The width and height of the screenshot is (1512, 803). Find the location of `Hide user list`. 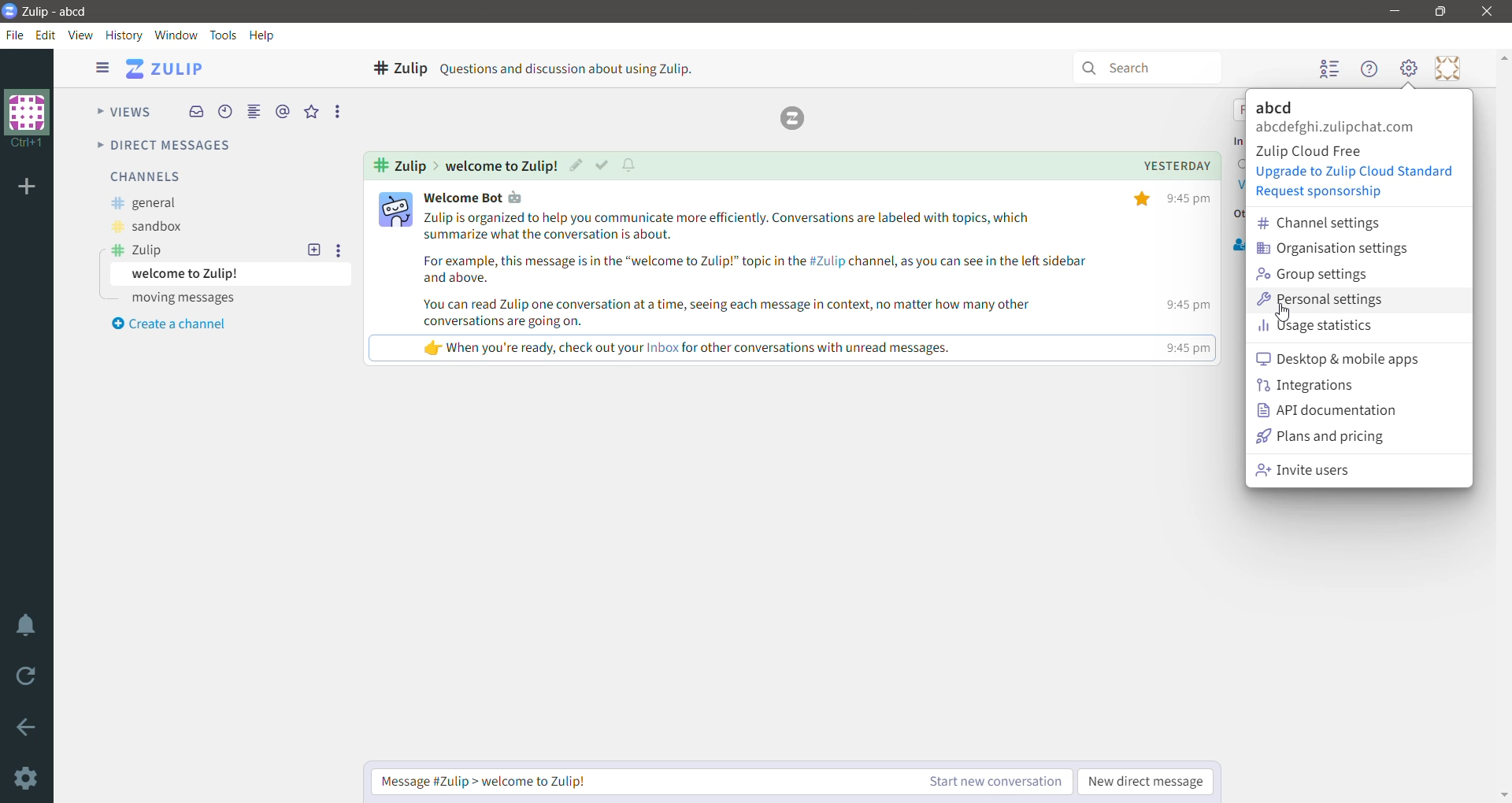

Hide user list is located at coordinates (1331, 69).